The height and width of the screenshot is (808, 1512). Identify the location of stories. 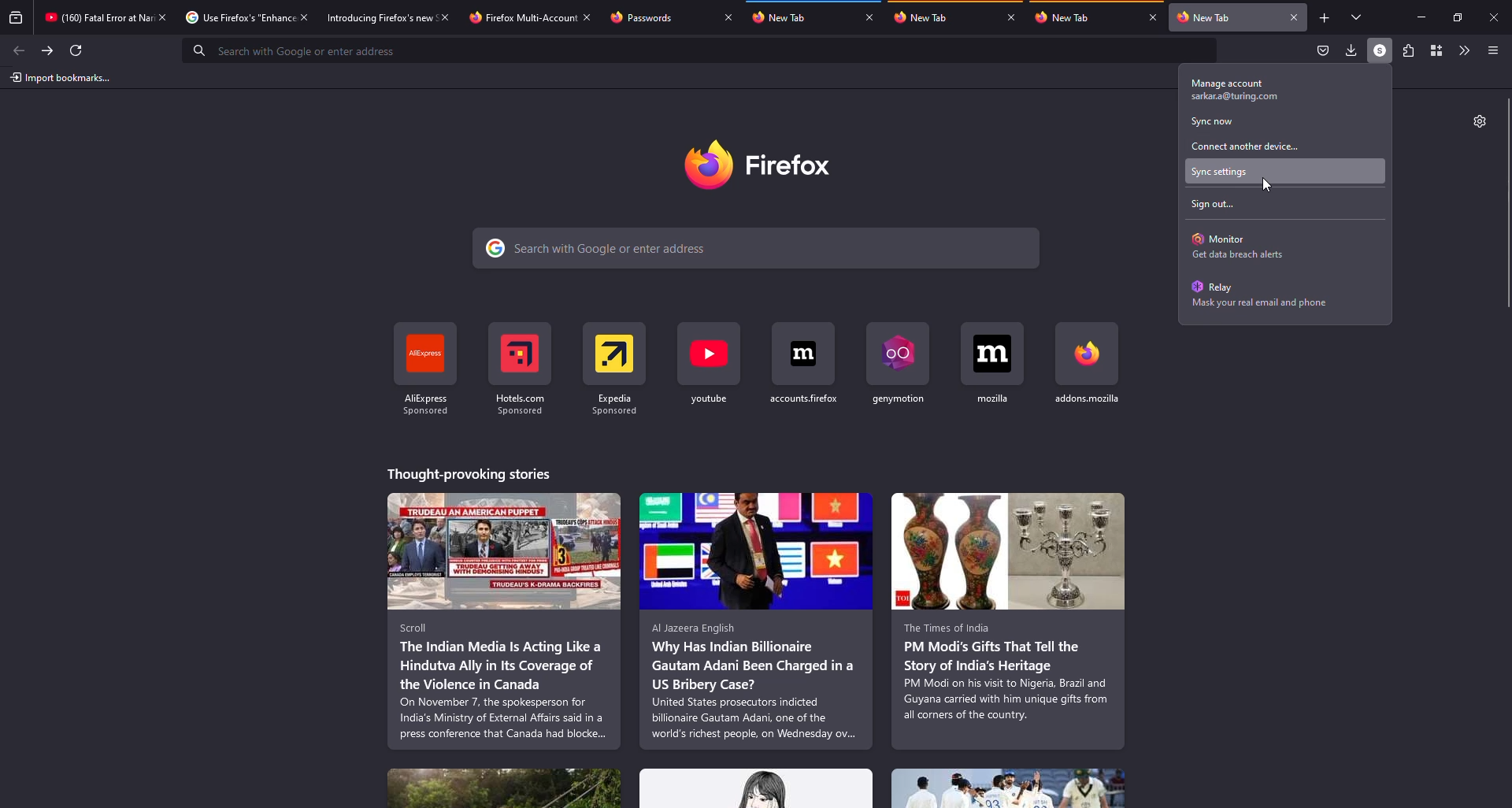
(506, 621).